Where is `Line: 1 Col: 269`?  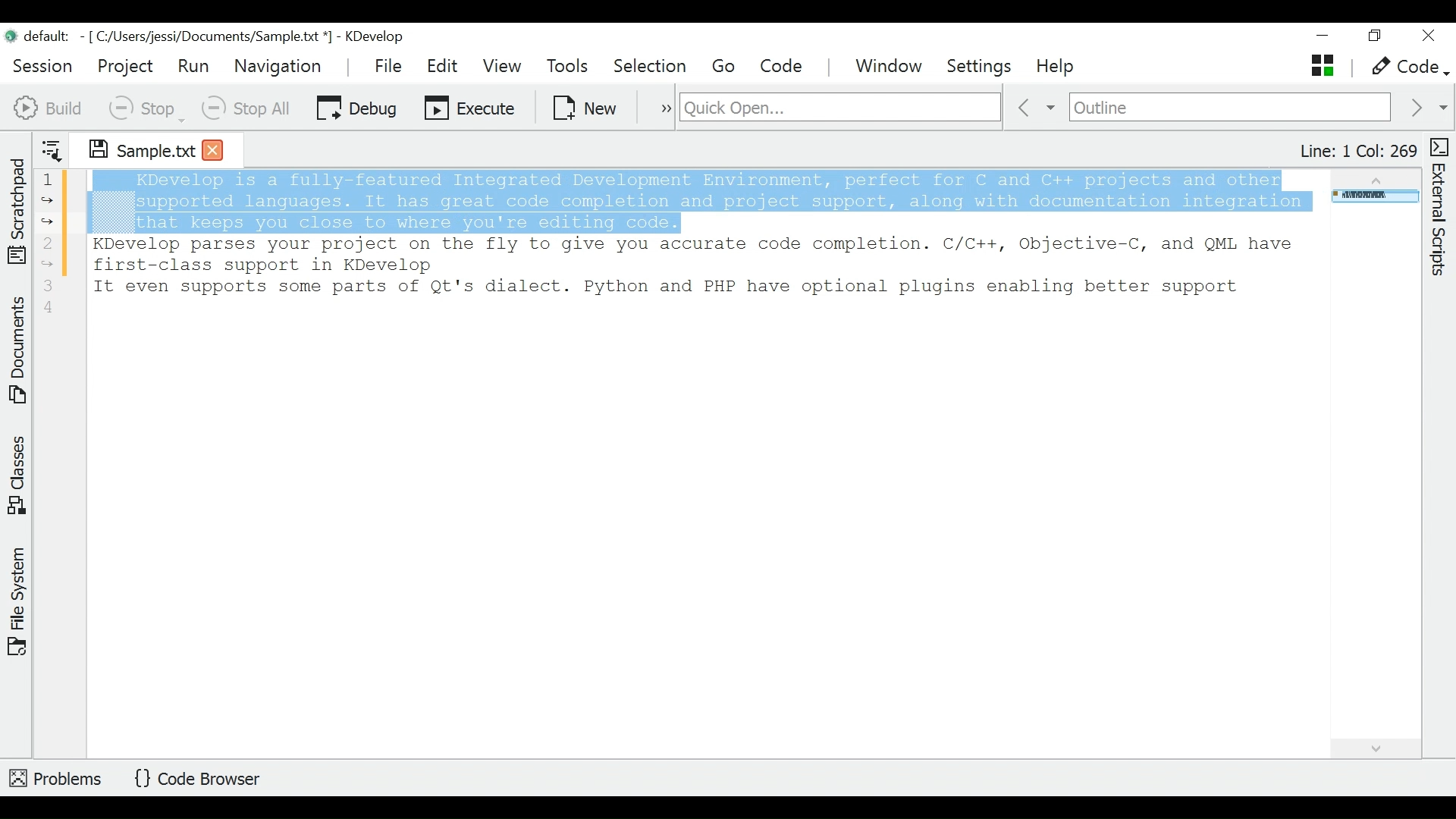 Line: 1 Col: 269 is located at coordinates (1357, 151).